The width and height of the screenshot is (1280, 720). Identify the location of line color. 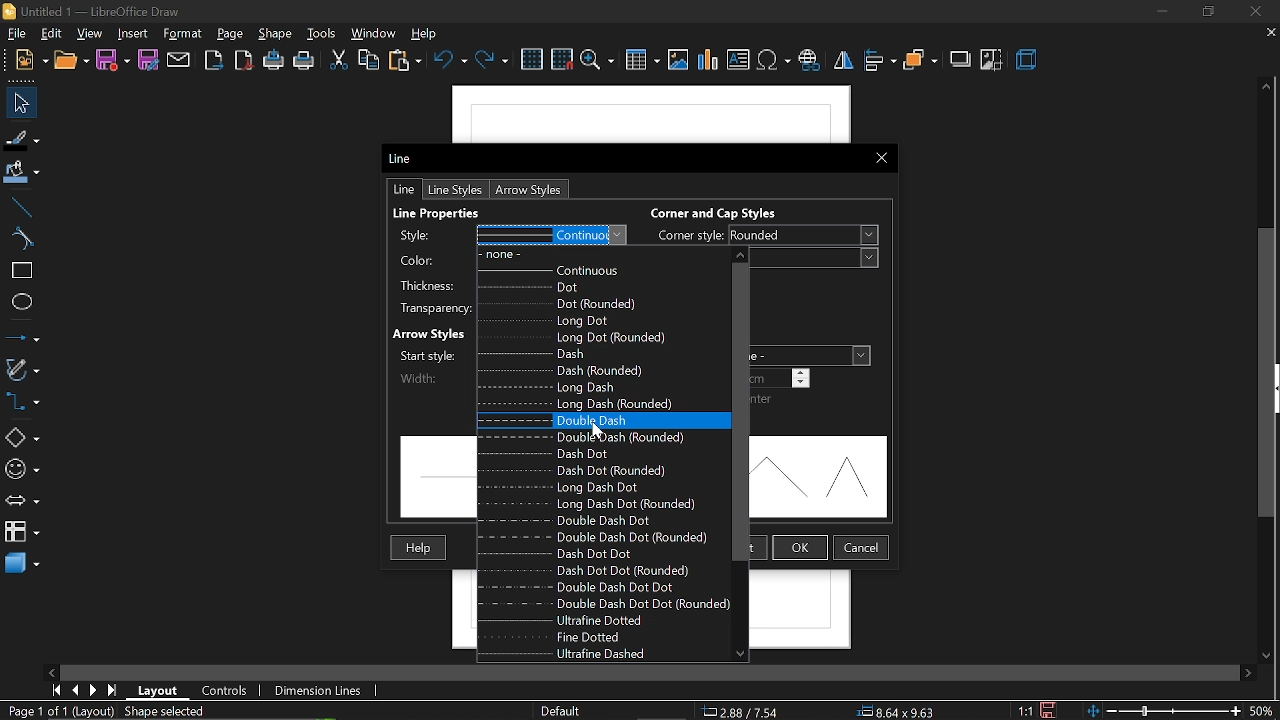
(506, 258).